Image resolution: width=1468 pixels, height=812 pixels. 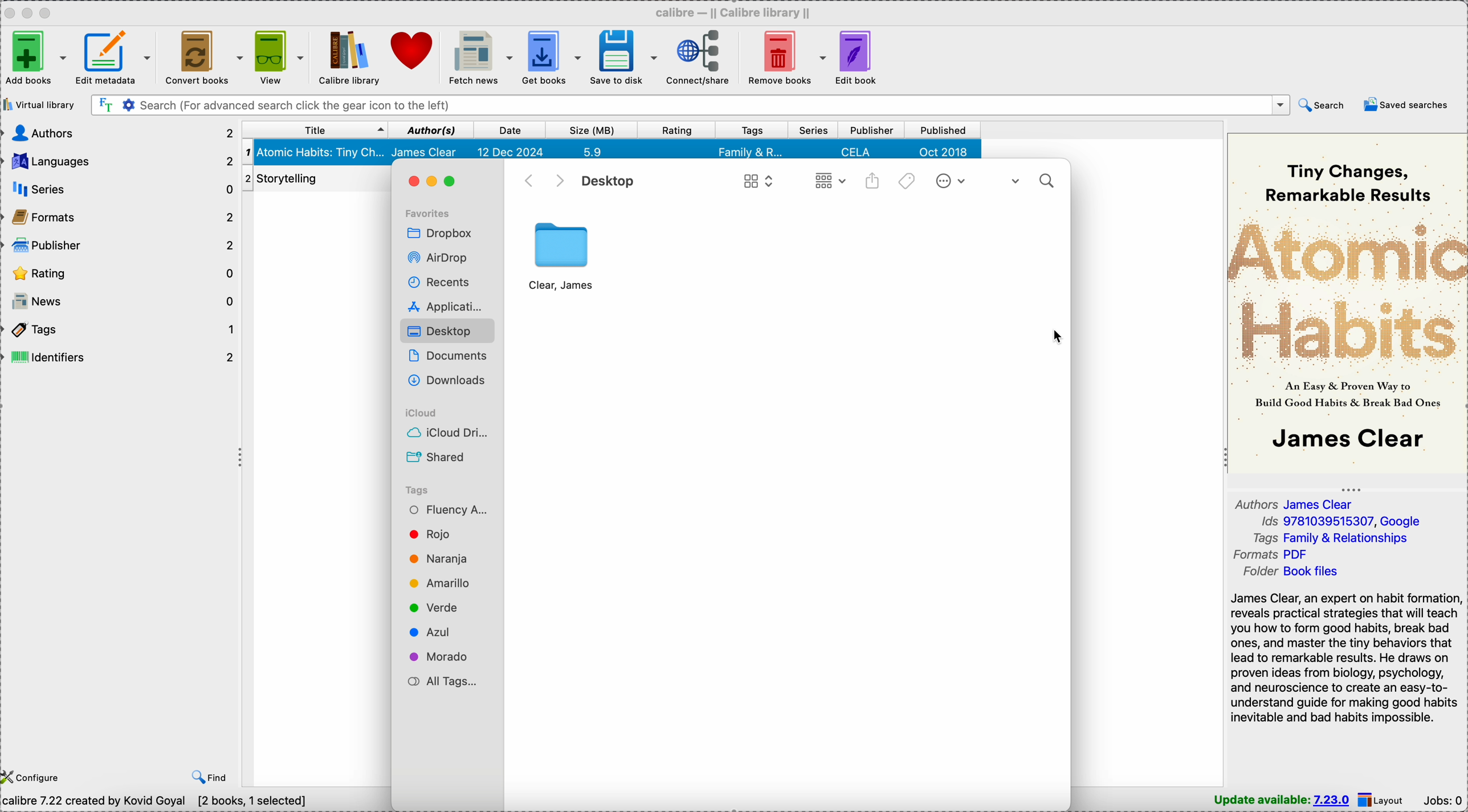 I want to click on iCloud drive, so click(x=445, y=432).